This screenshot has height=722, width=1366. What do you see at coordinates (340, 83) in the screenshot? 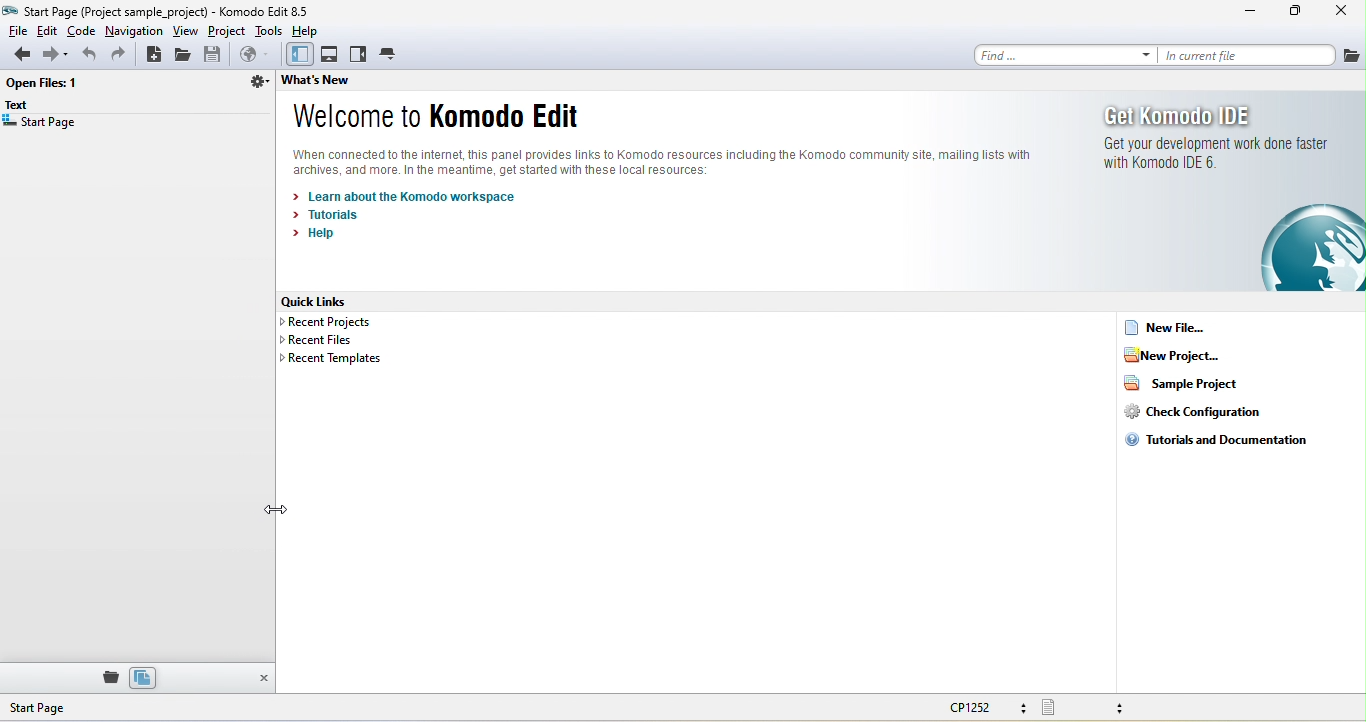
I see `what's new` at bounding box center [340, 83].